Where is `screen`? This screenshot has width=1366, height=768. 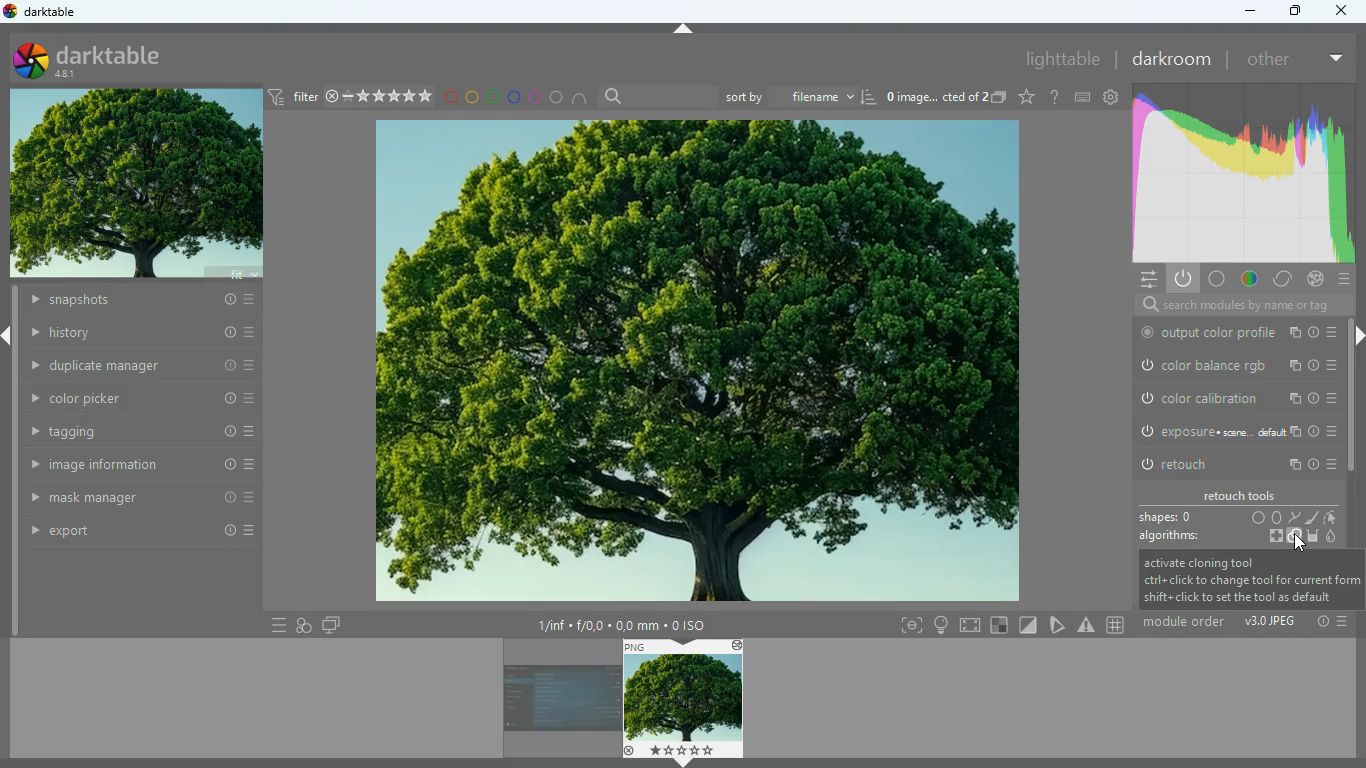 screen is located at coordinates (971, 624).